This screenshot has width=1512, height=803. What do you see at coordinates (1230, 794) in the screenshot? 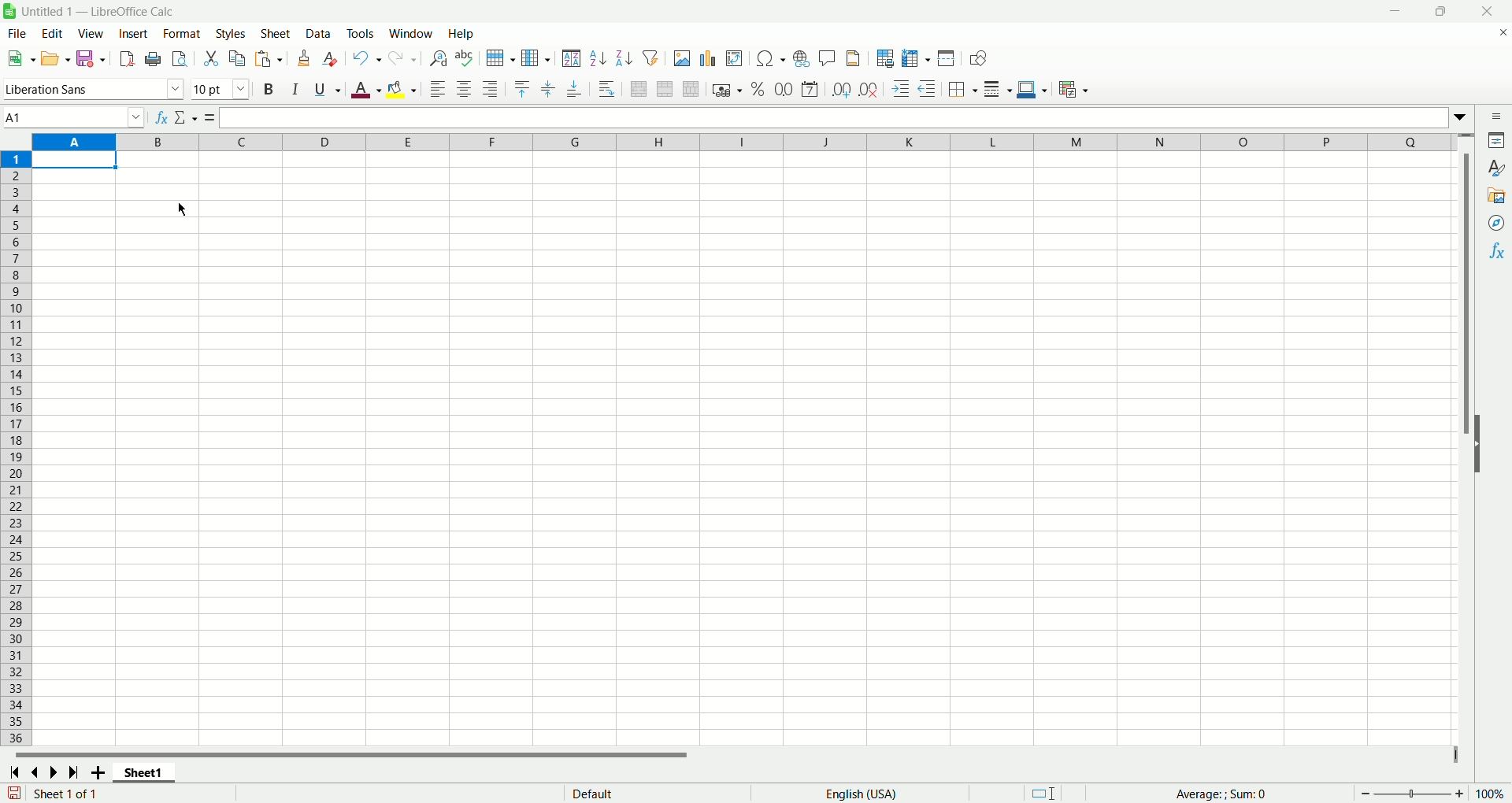
I see `functions` at bounding box center [1230, 794].